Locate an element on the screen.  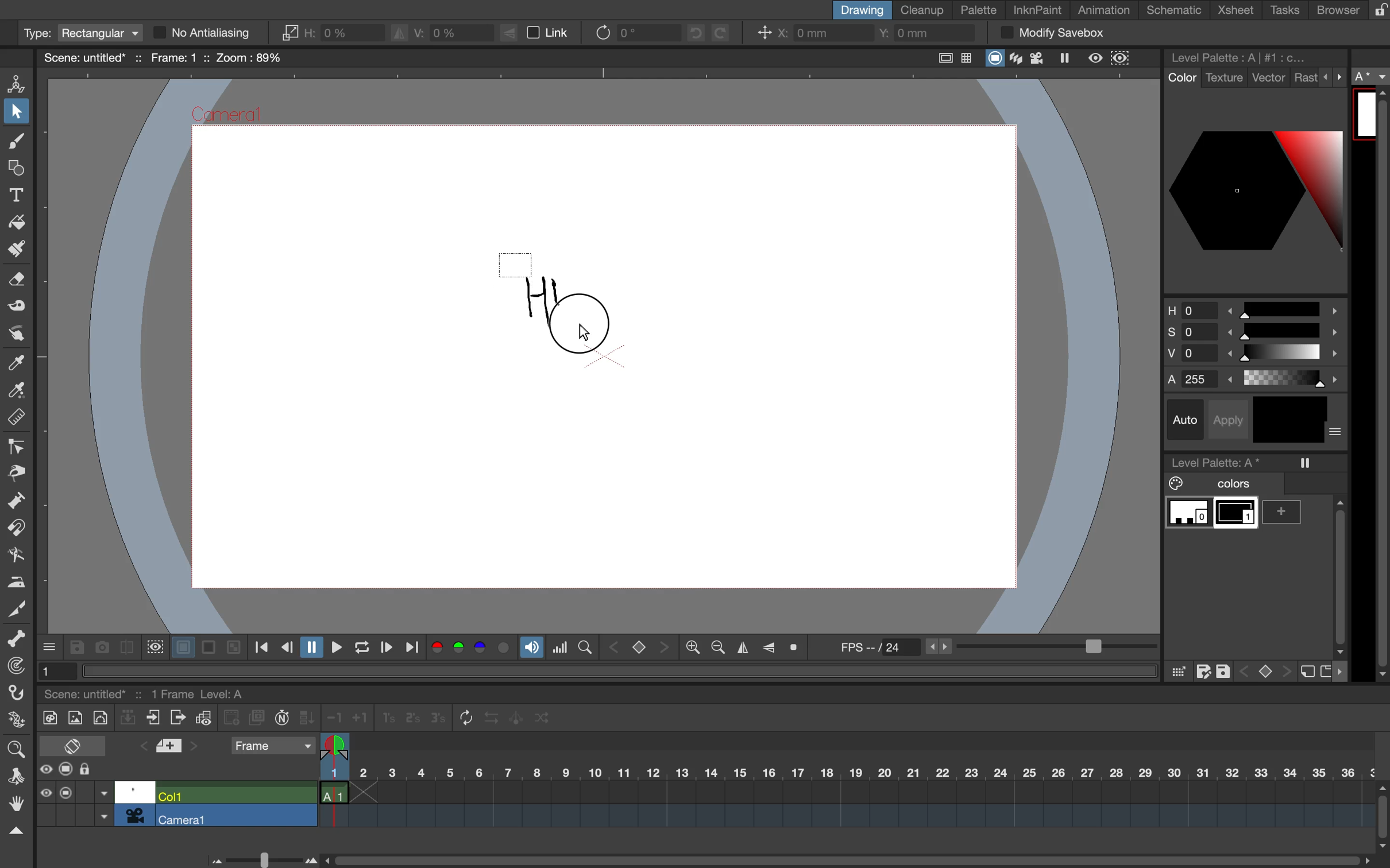
loop is located at coordinates (357, 648).